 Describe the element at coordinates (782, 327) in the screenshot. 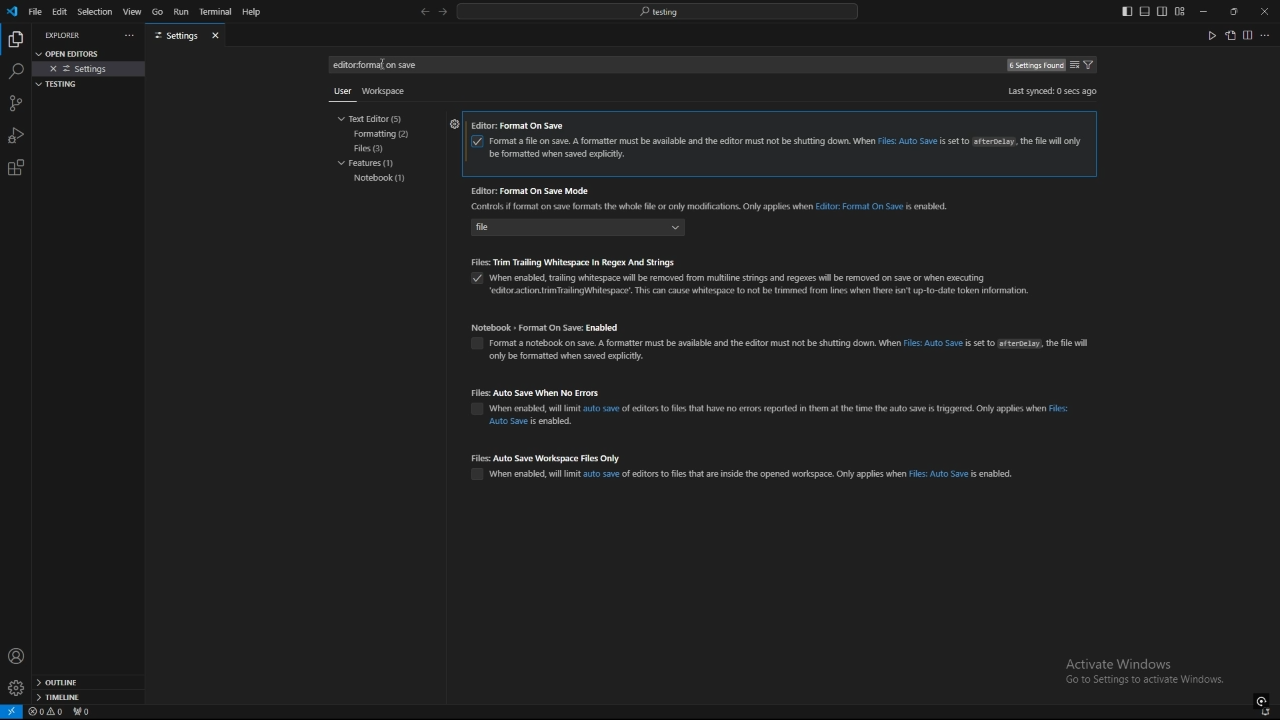

I see `notebook format on save` at that location.